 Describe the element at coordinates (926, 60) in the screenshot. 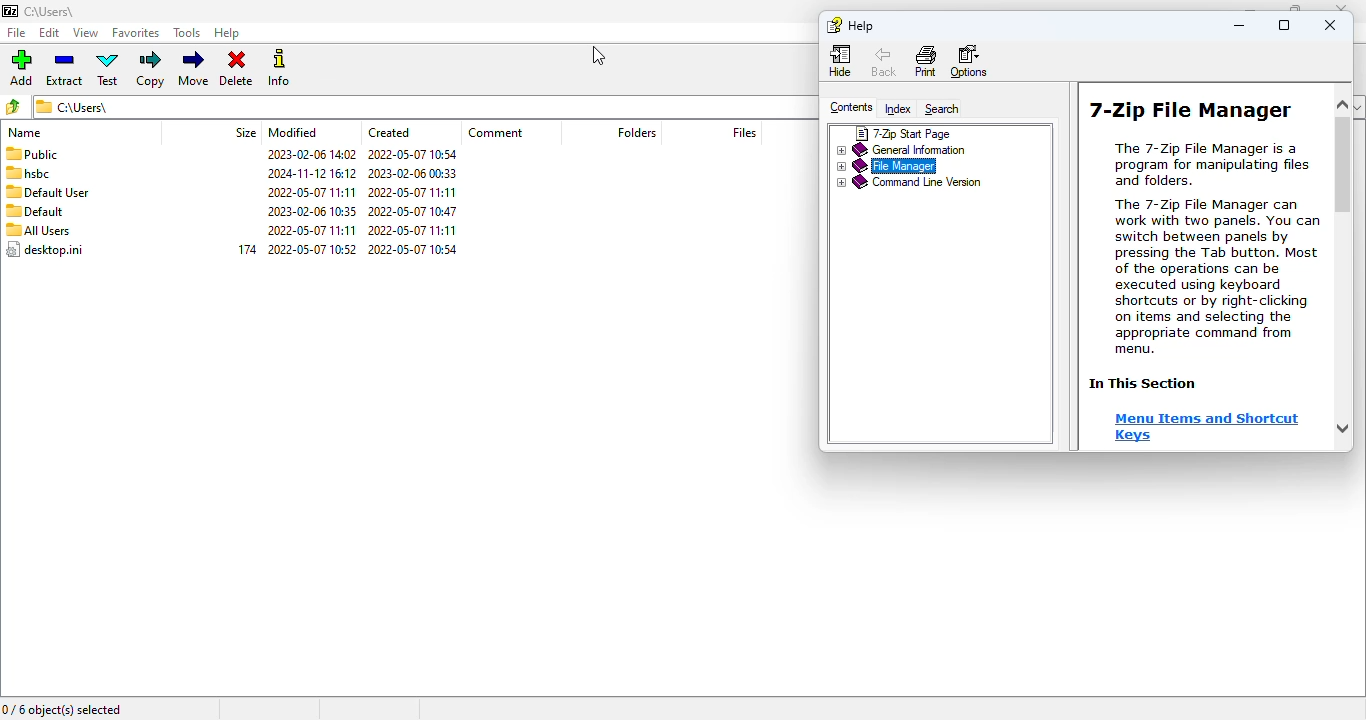

I see `print` at that location.